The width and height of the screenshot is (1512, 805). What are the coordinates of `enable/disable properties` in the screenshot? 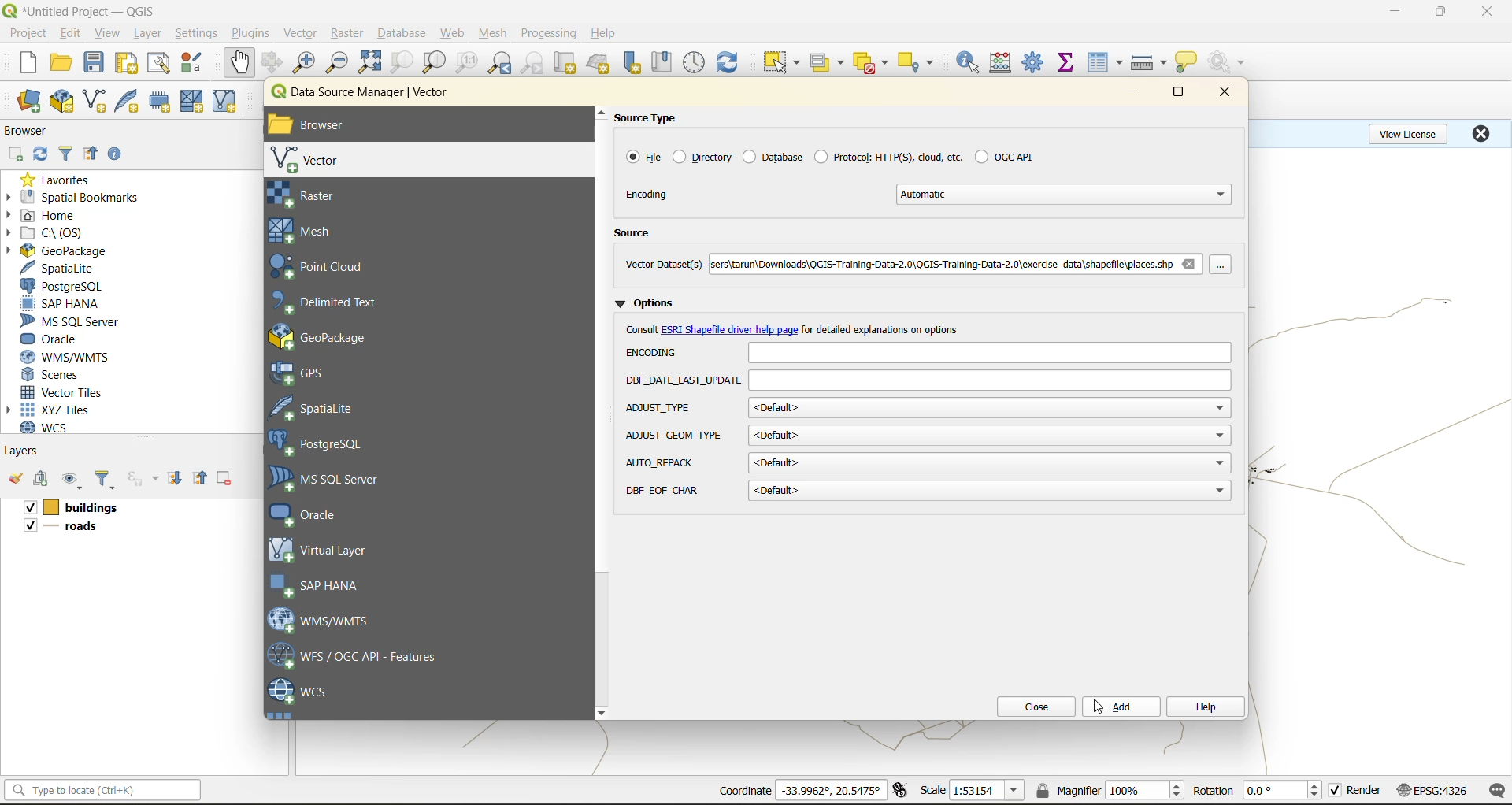 It's located at (119, 158).